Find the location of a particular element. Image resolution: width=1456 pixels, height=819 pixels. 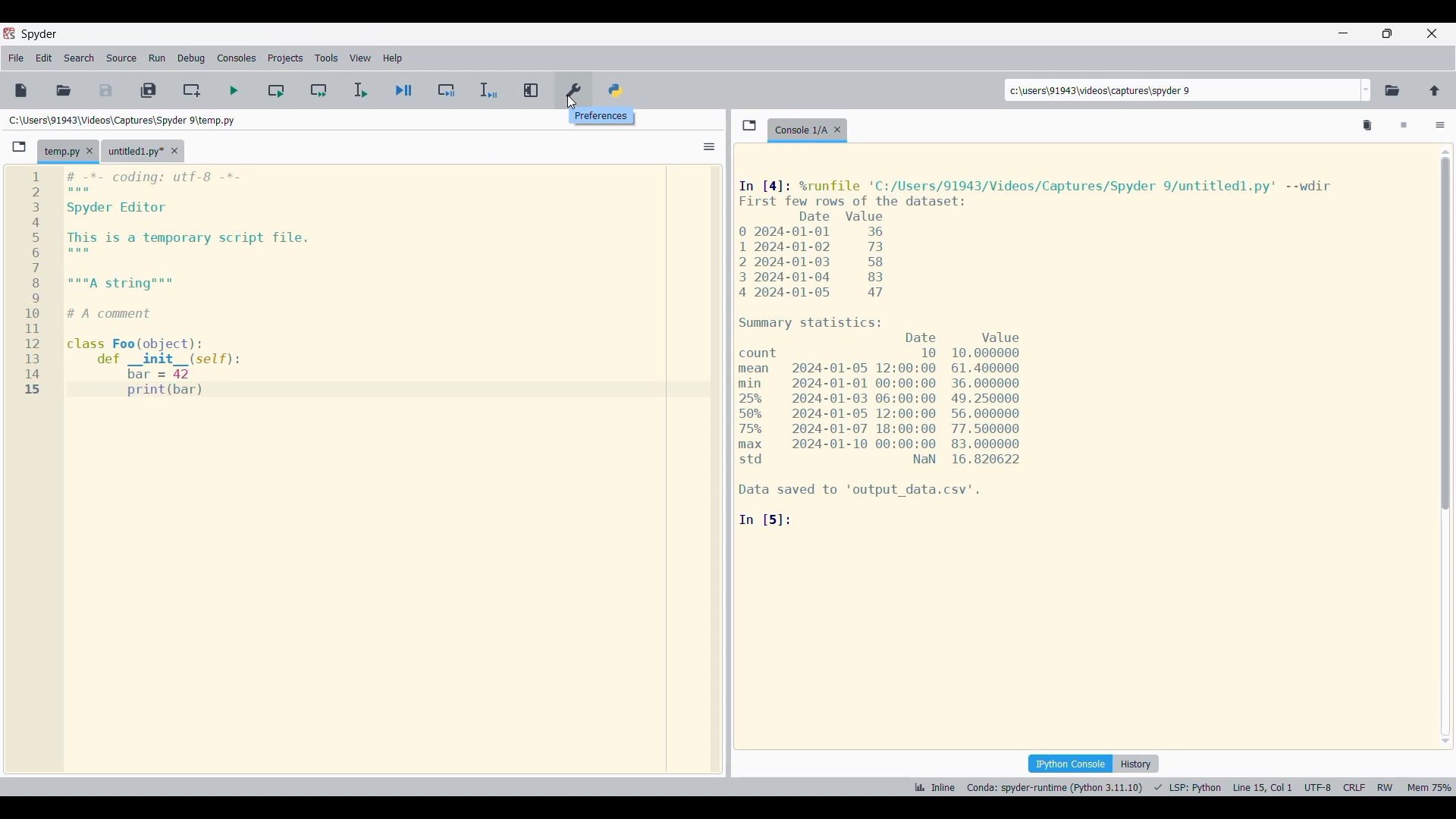

File location is located at coordinates (124, 120).